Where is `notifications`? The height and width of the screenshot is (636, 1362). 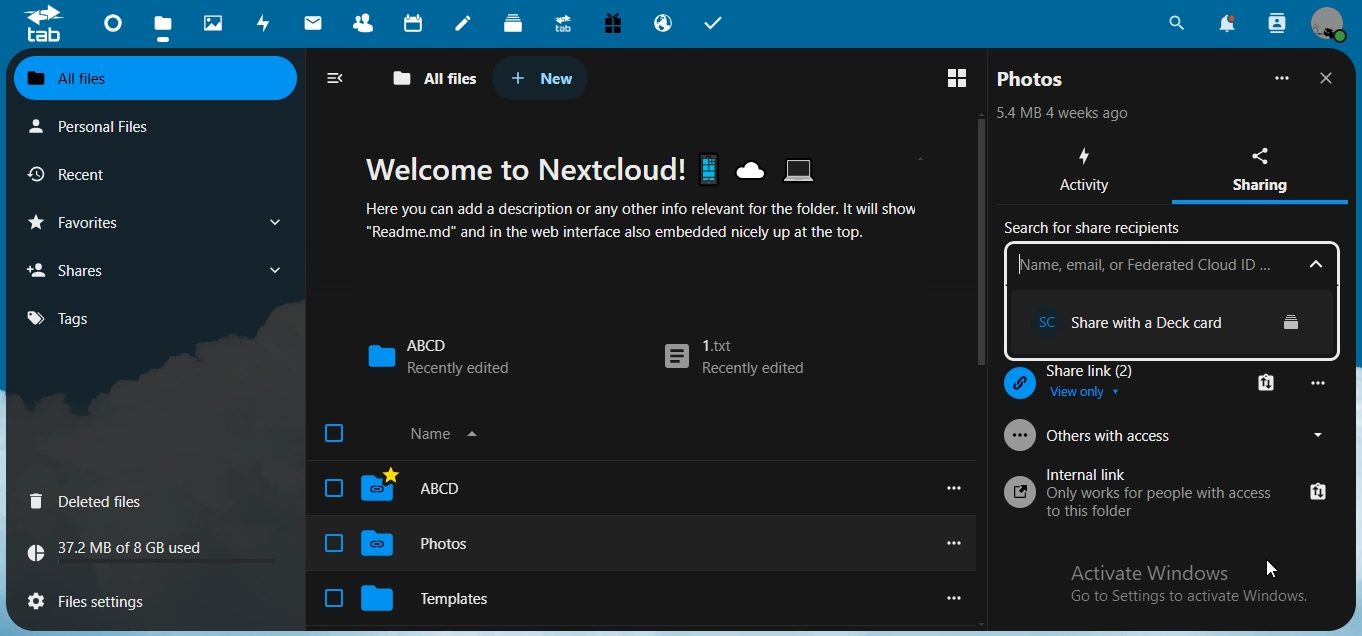
notifications is located at coordinates (1225, 23).